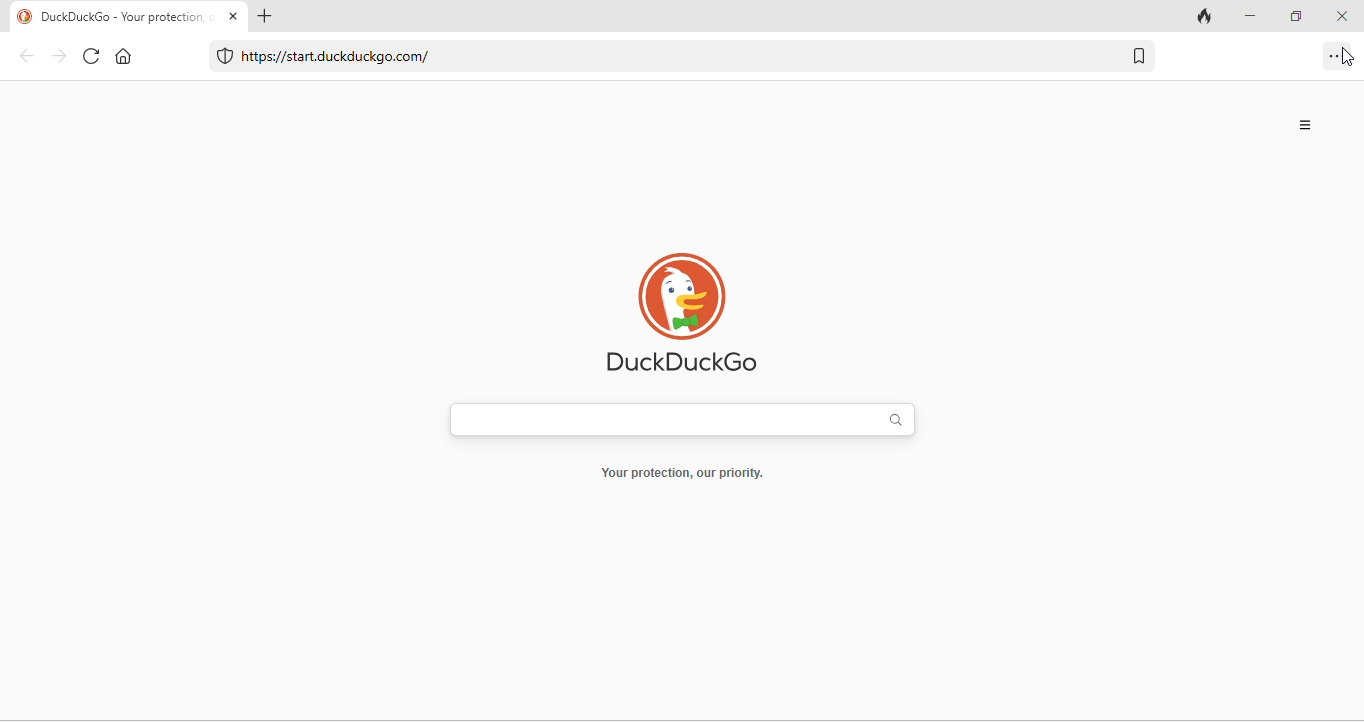  What do you see at coordinates (124, 56) in the screenshot?
I see `home` at bounding box center [124, 56].